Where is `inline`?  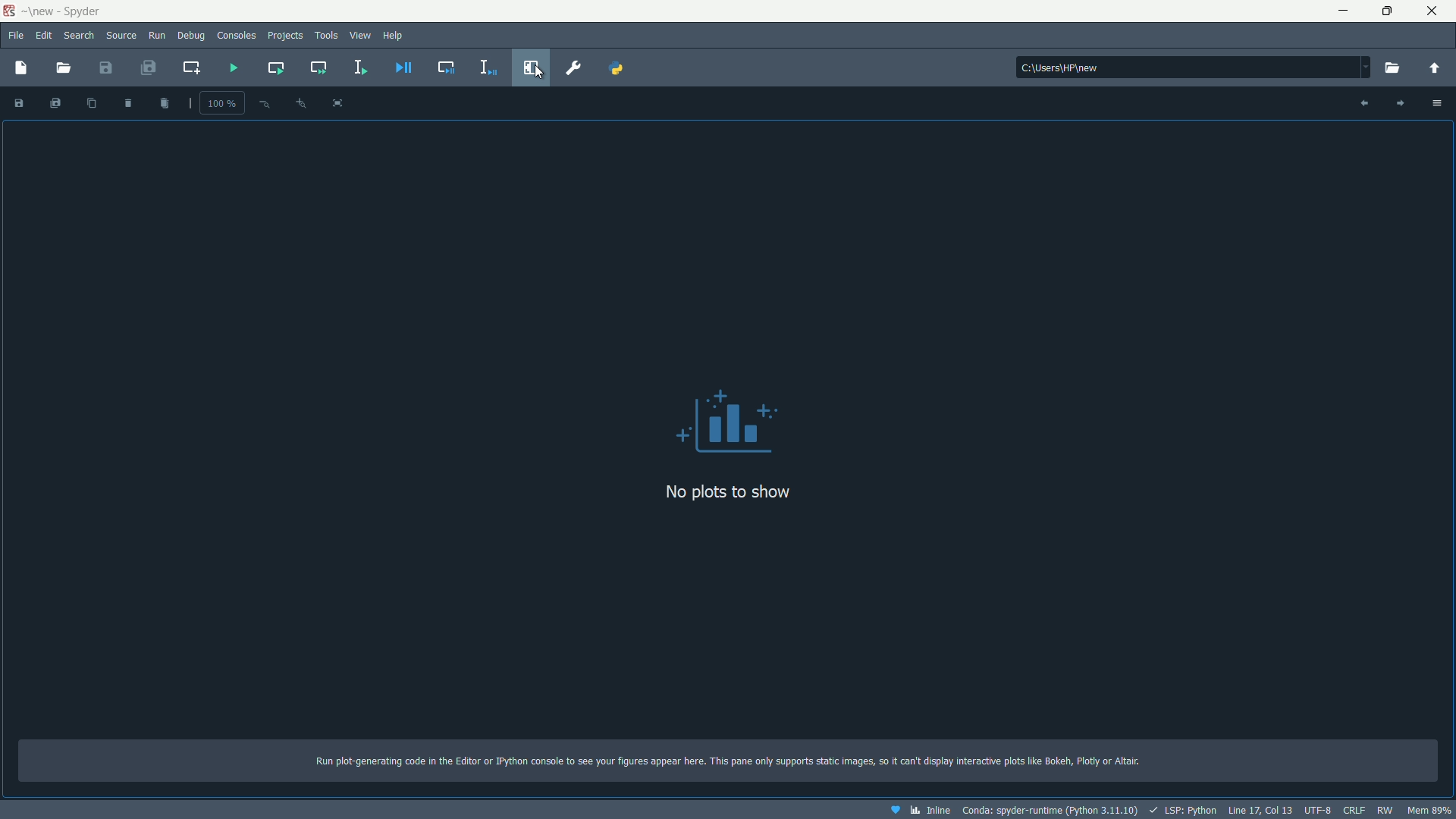
inline is located at coordinates (918, 810).